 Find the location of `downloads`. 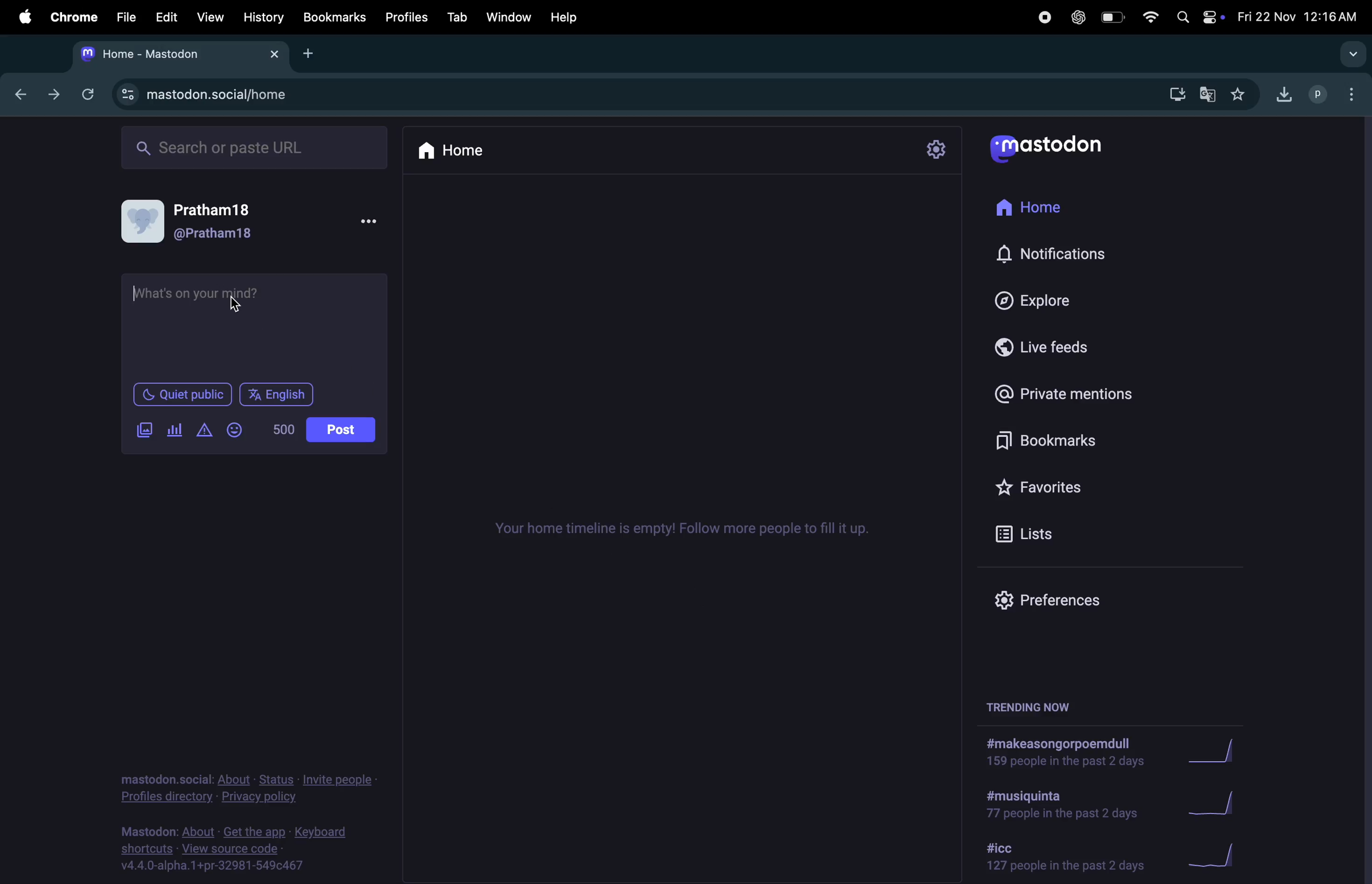

downloads is located at coordinates (1280, 97).